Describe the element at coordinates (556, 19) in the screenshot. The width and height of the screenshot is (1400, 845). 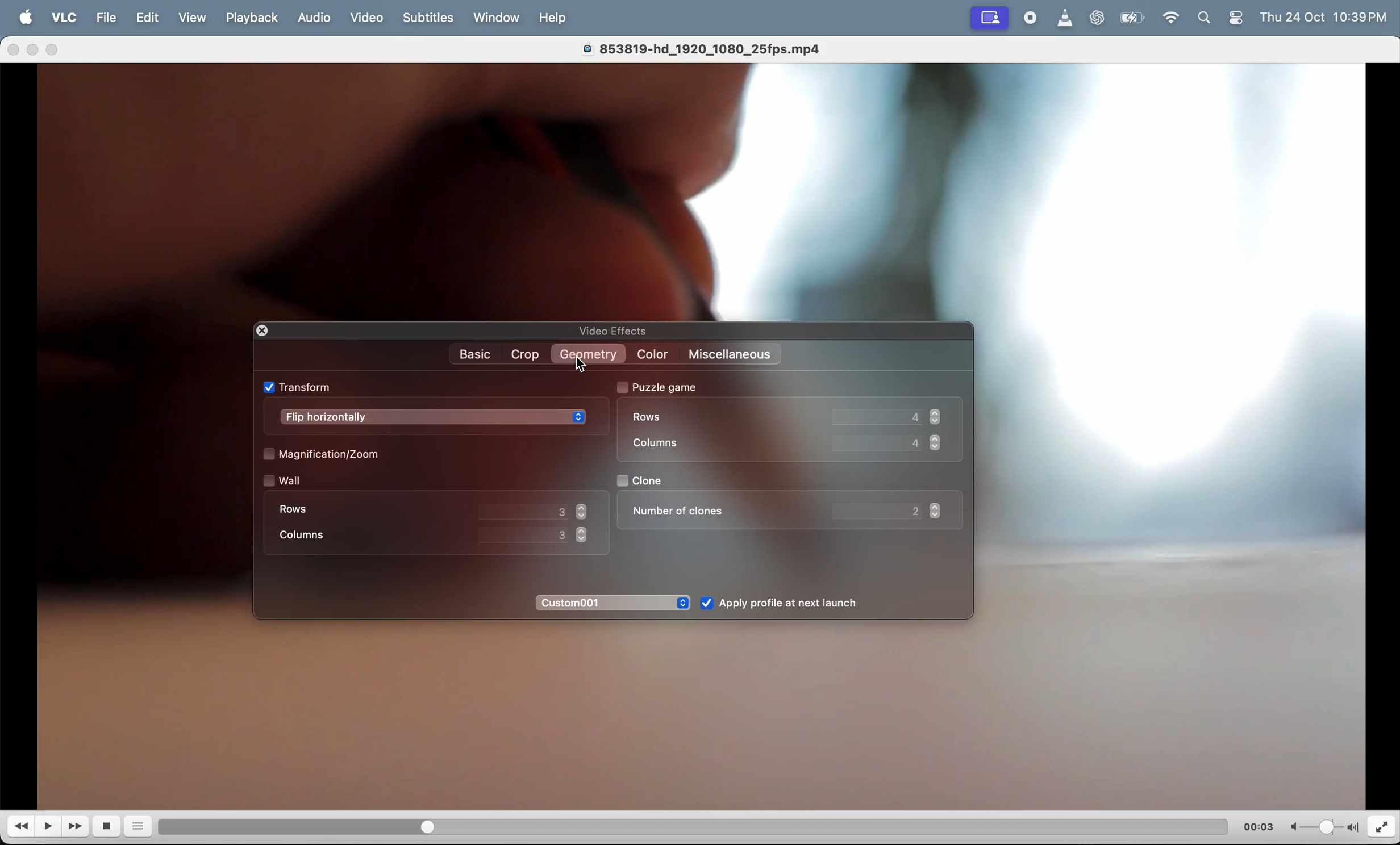
I see `help` at that location.